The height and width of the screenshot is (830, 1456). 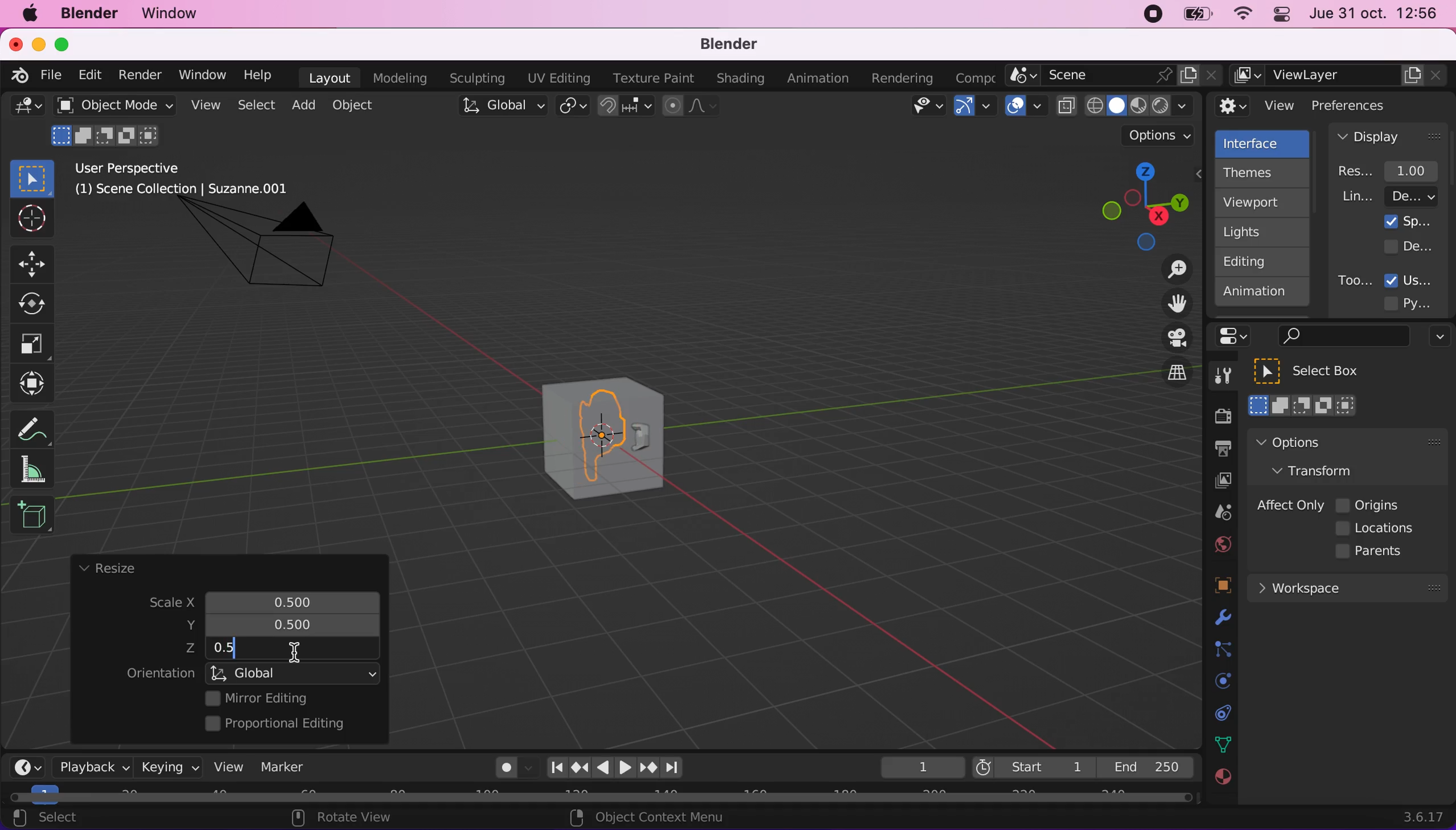 What do you see at coordinates (32, 516) in the screenshot?
I see `add cube` at bounding box center [32, 516].